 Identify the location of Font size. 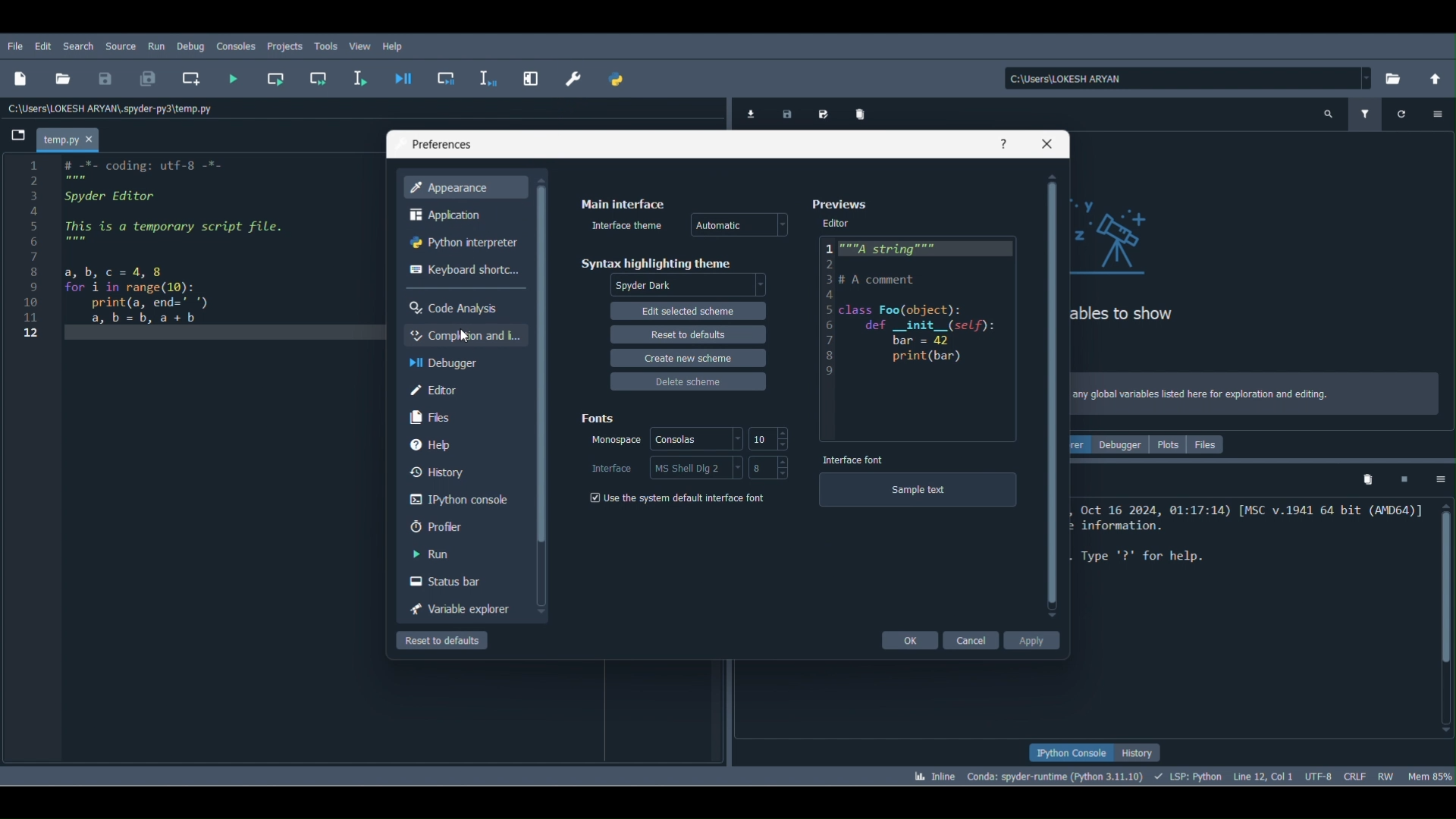
(767, 433).